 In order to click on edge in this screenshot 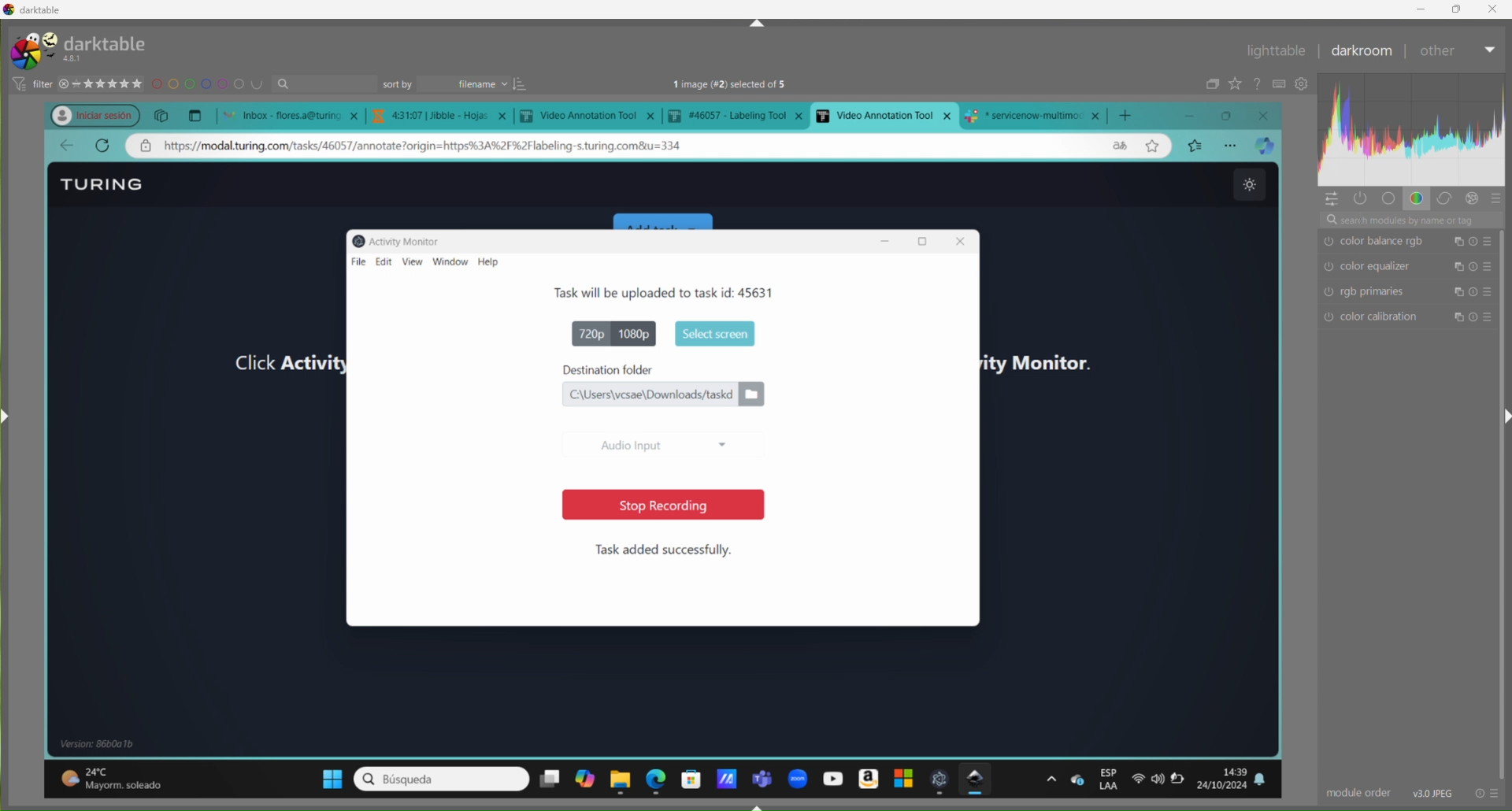, I will do `click(657, 778)`.